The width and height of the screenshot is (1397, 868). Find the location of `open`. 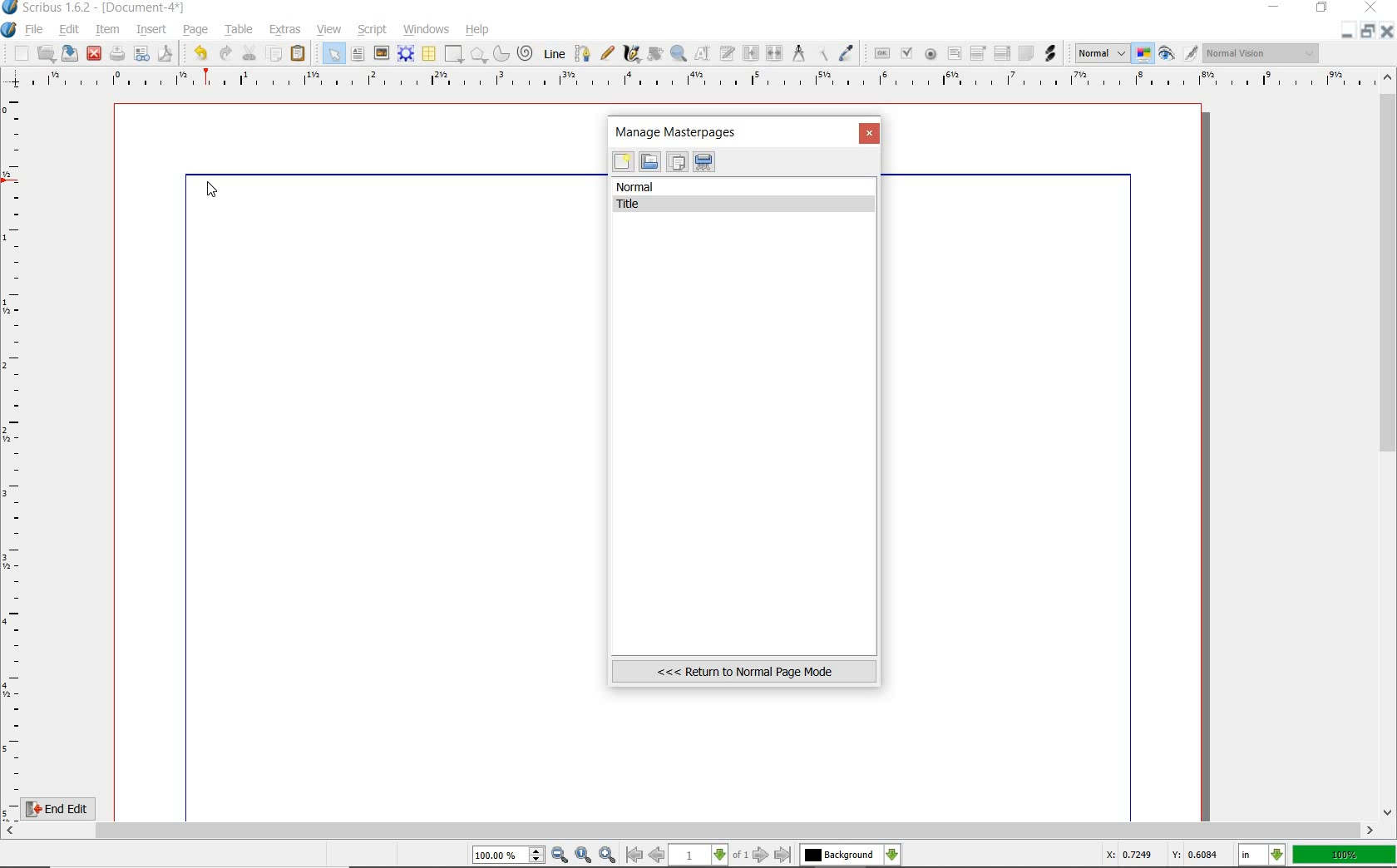

open is located at coordinates (47, 53).